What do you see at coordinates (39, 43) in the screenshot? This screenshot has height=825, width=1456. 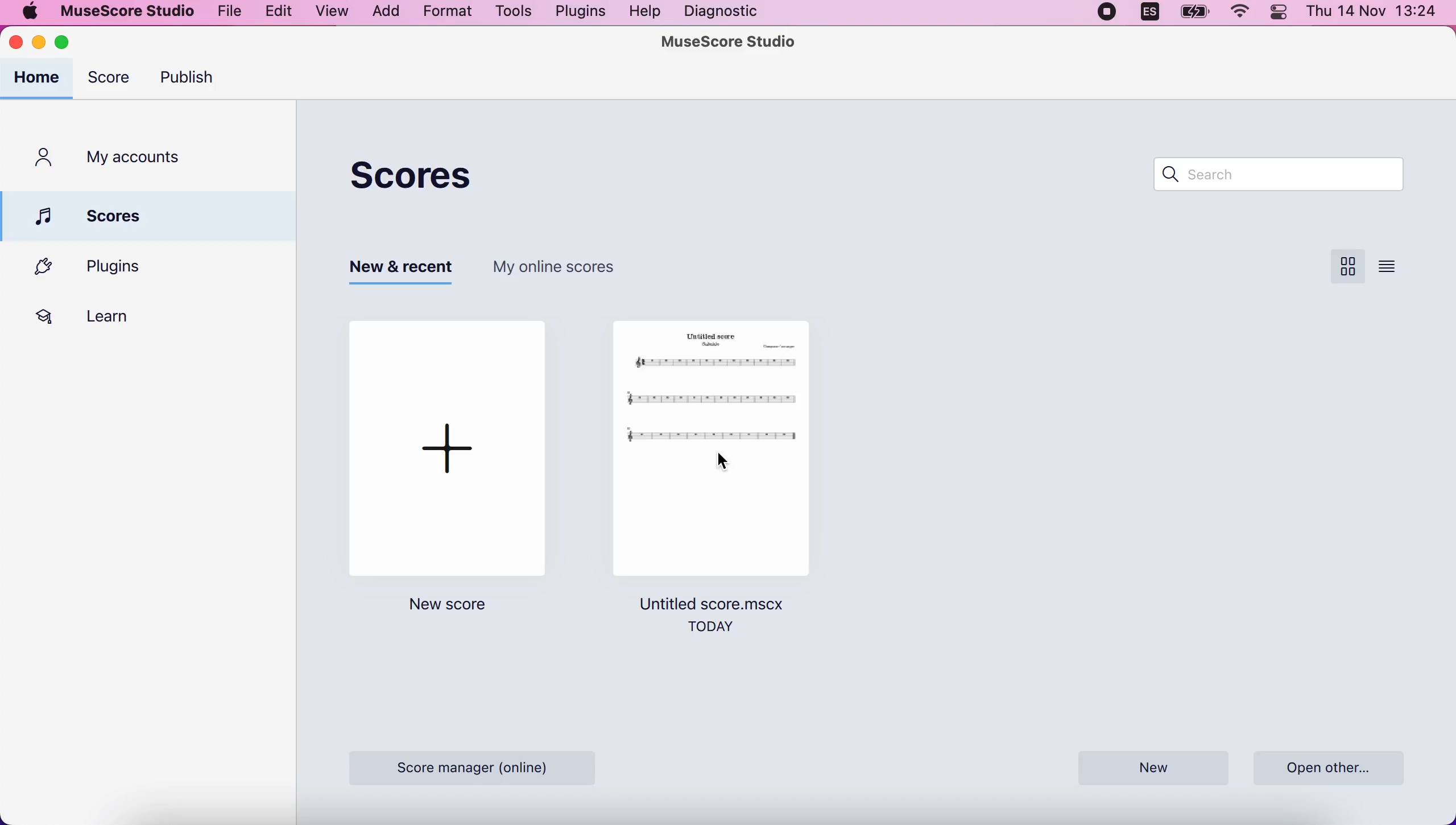 I see `minimize` at bounding box center [39, 43].